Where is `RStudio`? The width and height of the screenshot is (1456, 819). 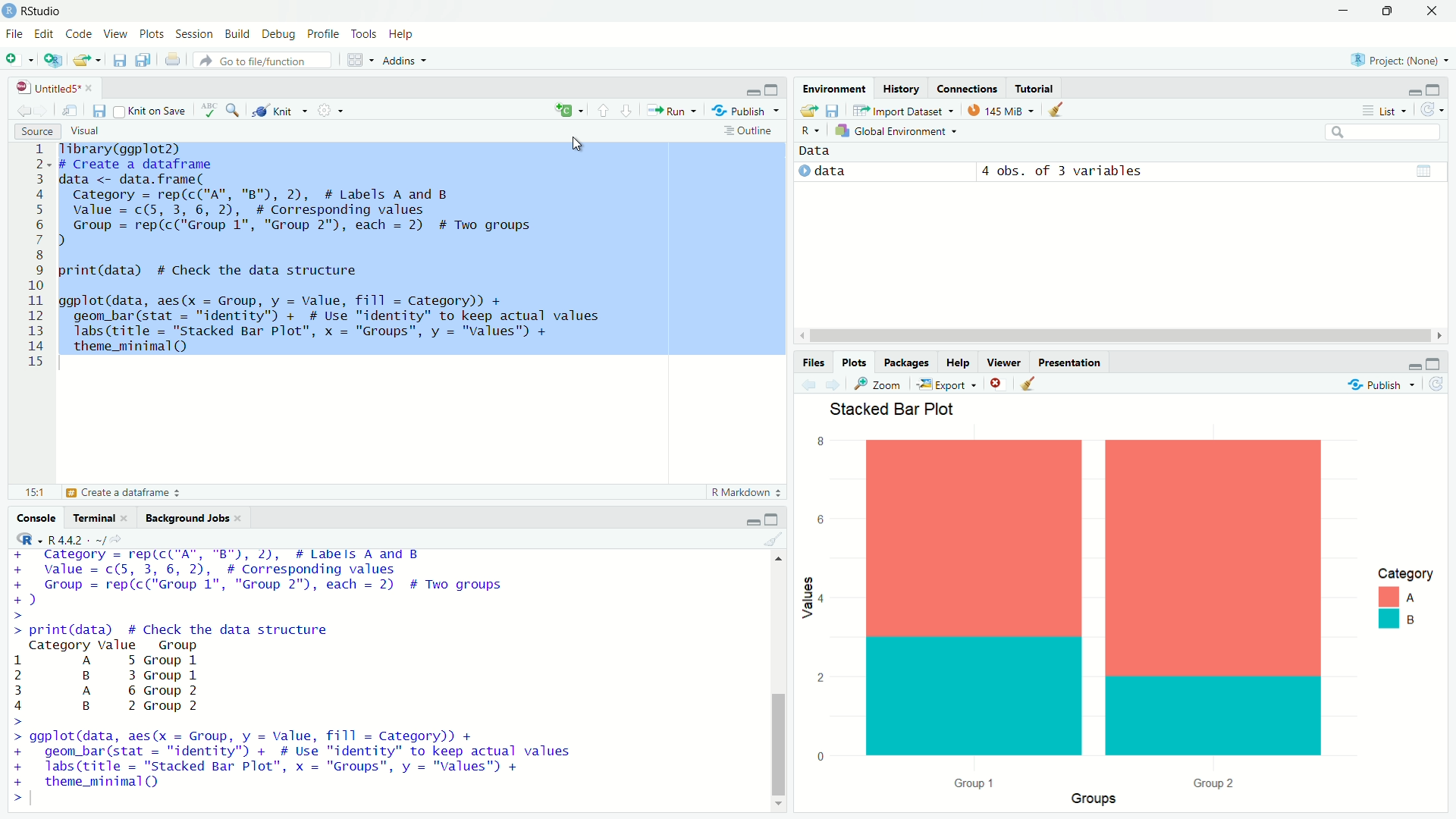
RStudio is located at coordinates (37, 10).